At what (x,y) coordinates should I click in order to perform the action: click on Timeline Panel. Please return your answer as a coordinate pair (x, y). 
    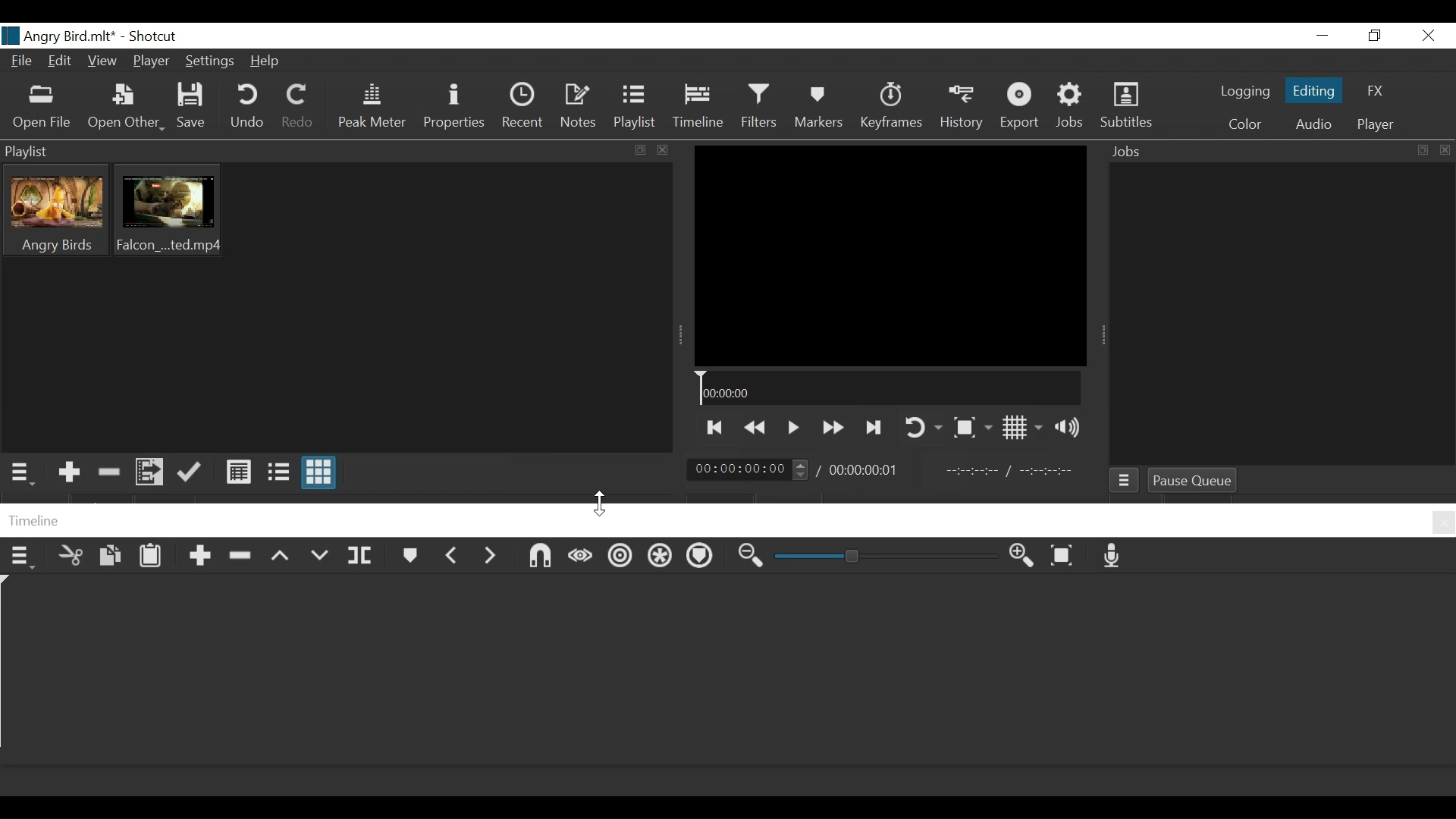
    Looking at the image, I should click on (730, 521).